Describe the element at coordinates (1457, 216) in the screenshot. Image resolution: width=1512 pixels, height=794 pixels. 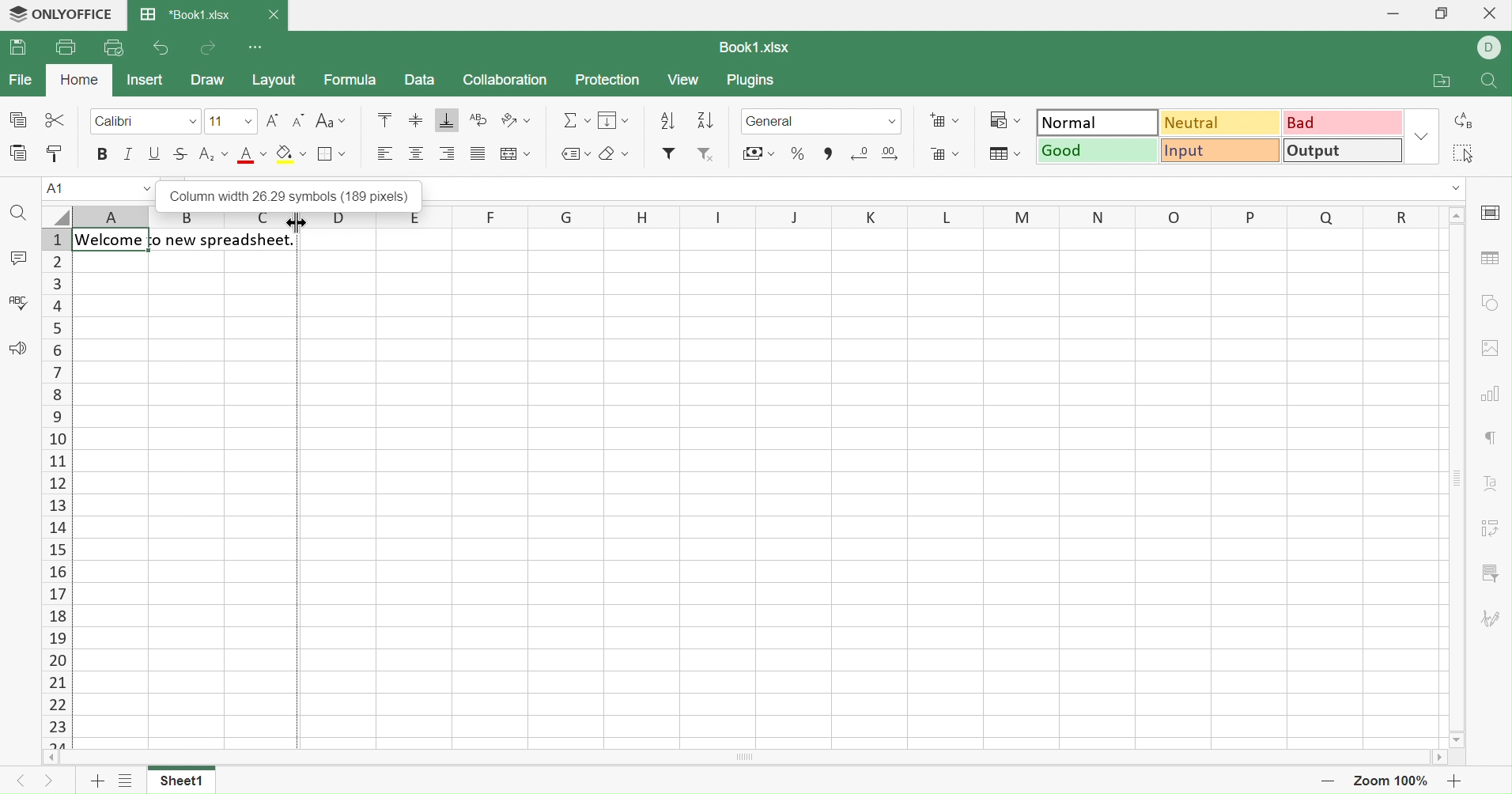
I see `Drop Down` at that location.